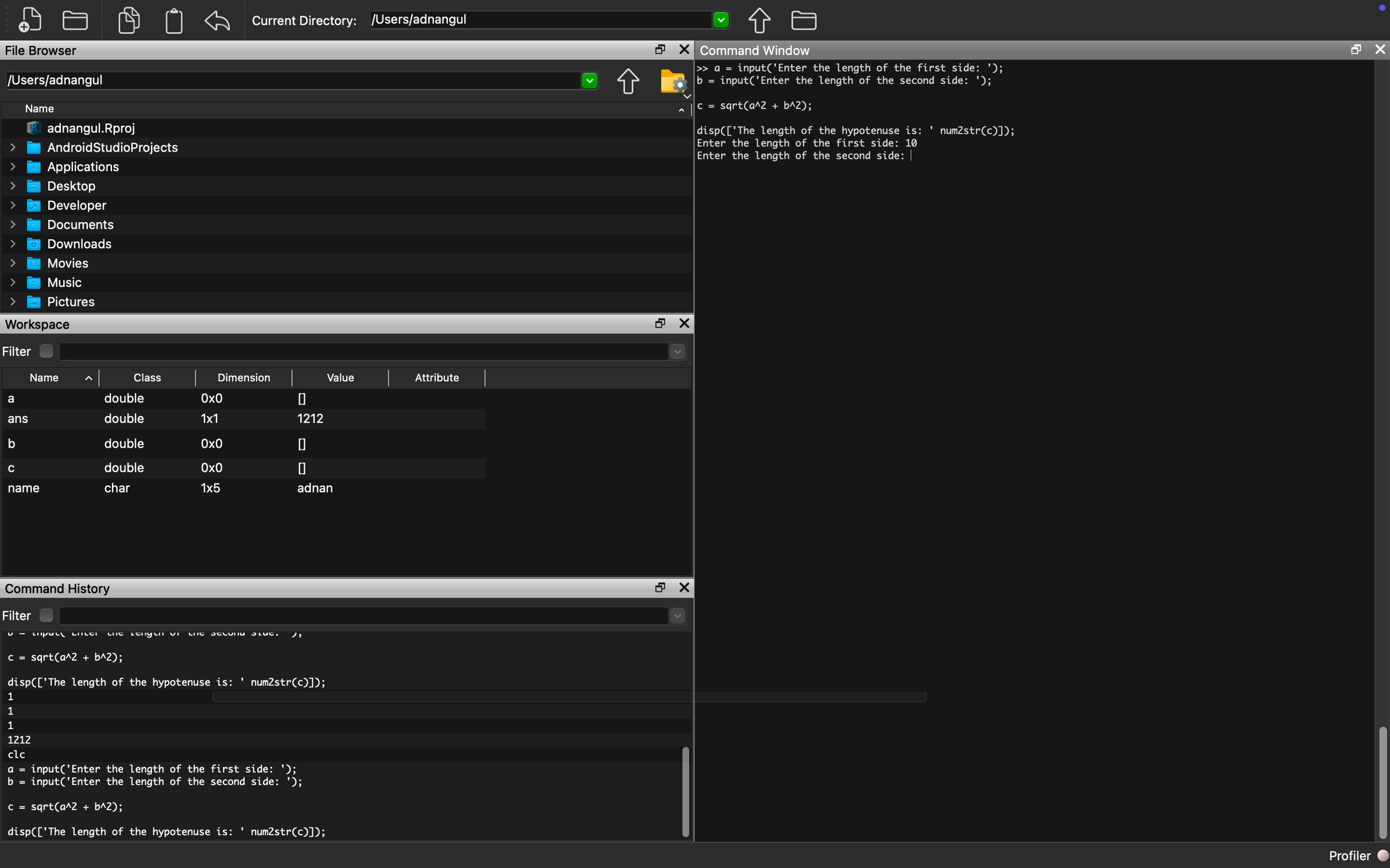 Image resolution: width=1390 pixels, height=868 pixels. Describe the element at coordinates (26, 490) in the screenshot. I see `name` at that location.